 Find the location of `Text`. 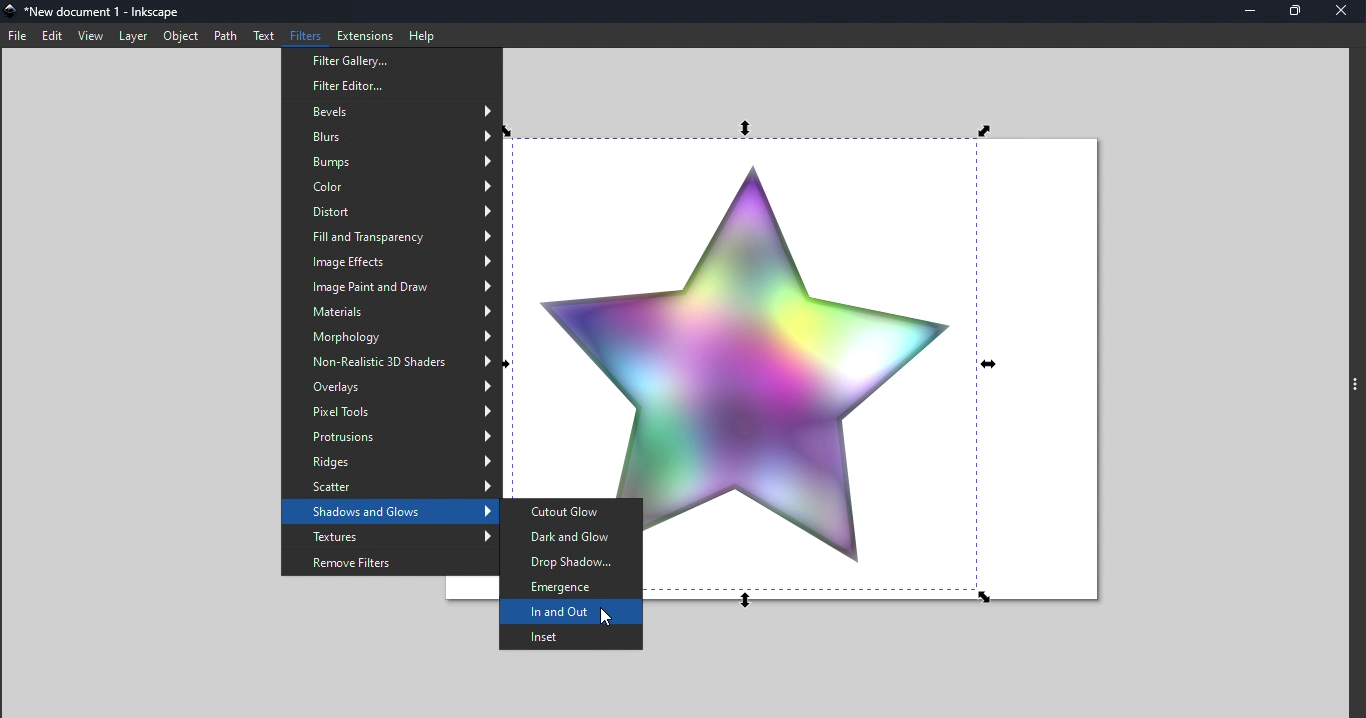

Text is located at coordinates (266, 37).